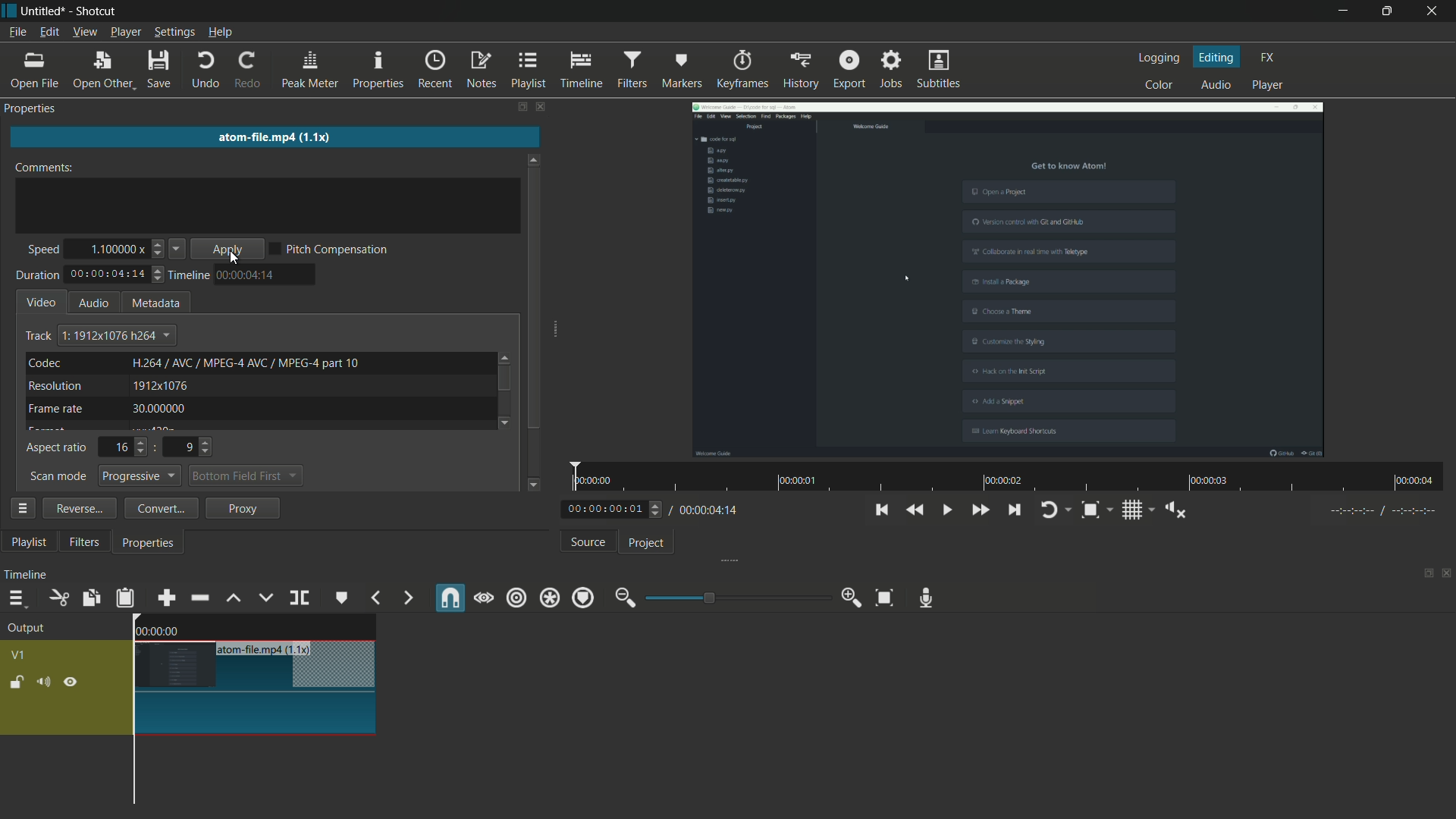 This screenshot has height=819, width=1456. Describe the element at coordinates (483, 599) in the screenshot. I see `scrub while dragging` at that location.